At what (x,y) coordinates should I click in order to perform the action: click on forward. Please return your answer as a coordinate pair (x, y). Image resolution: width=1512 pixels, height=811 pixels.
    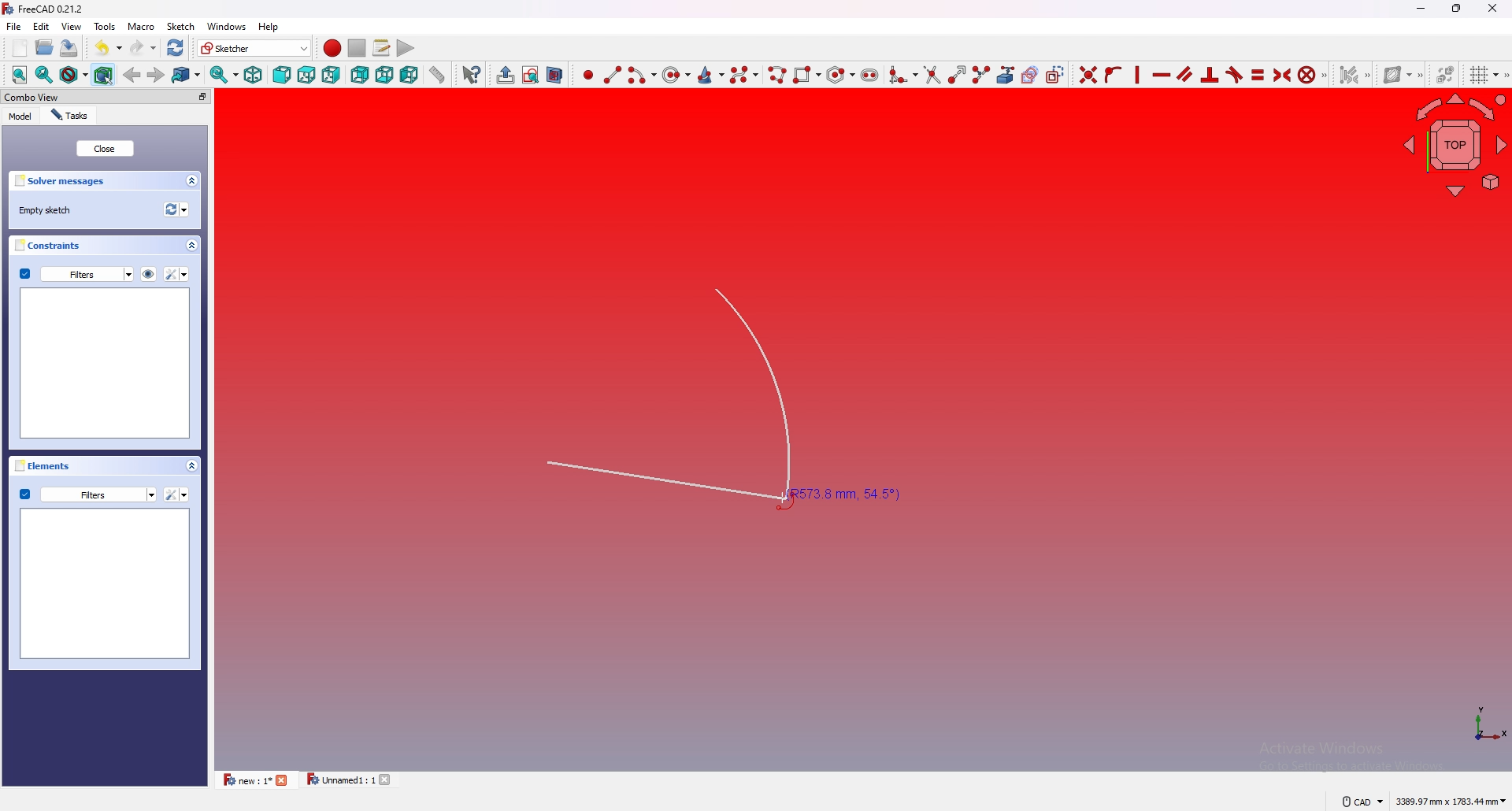
    Looking at the image, I should click on (157, 74).